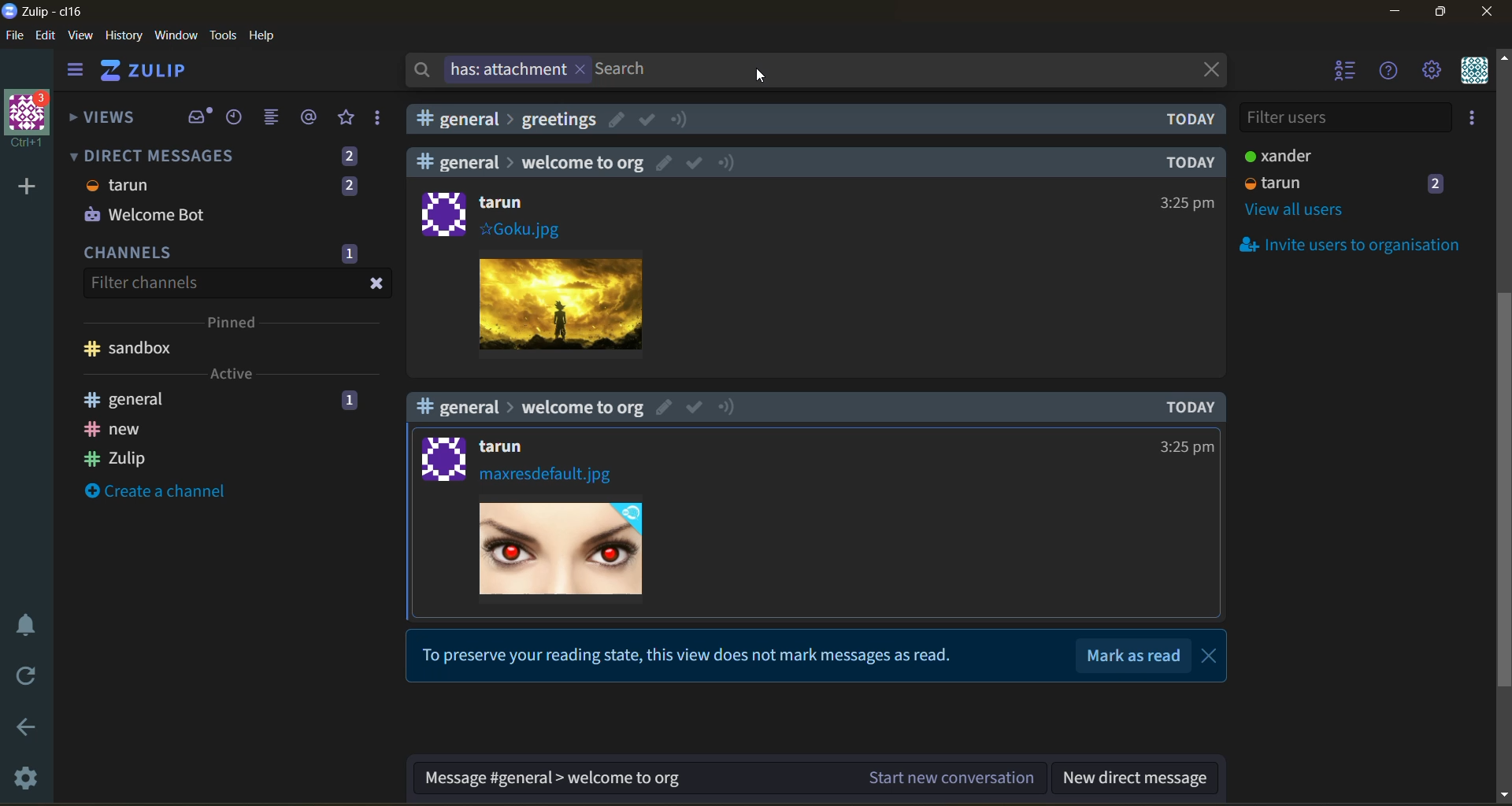  Describe the element at coordinates (1389, 72) in the screenshot. I see `help` at that location.